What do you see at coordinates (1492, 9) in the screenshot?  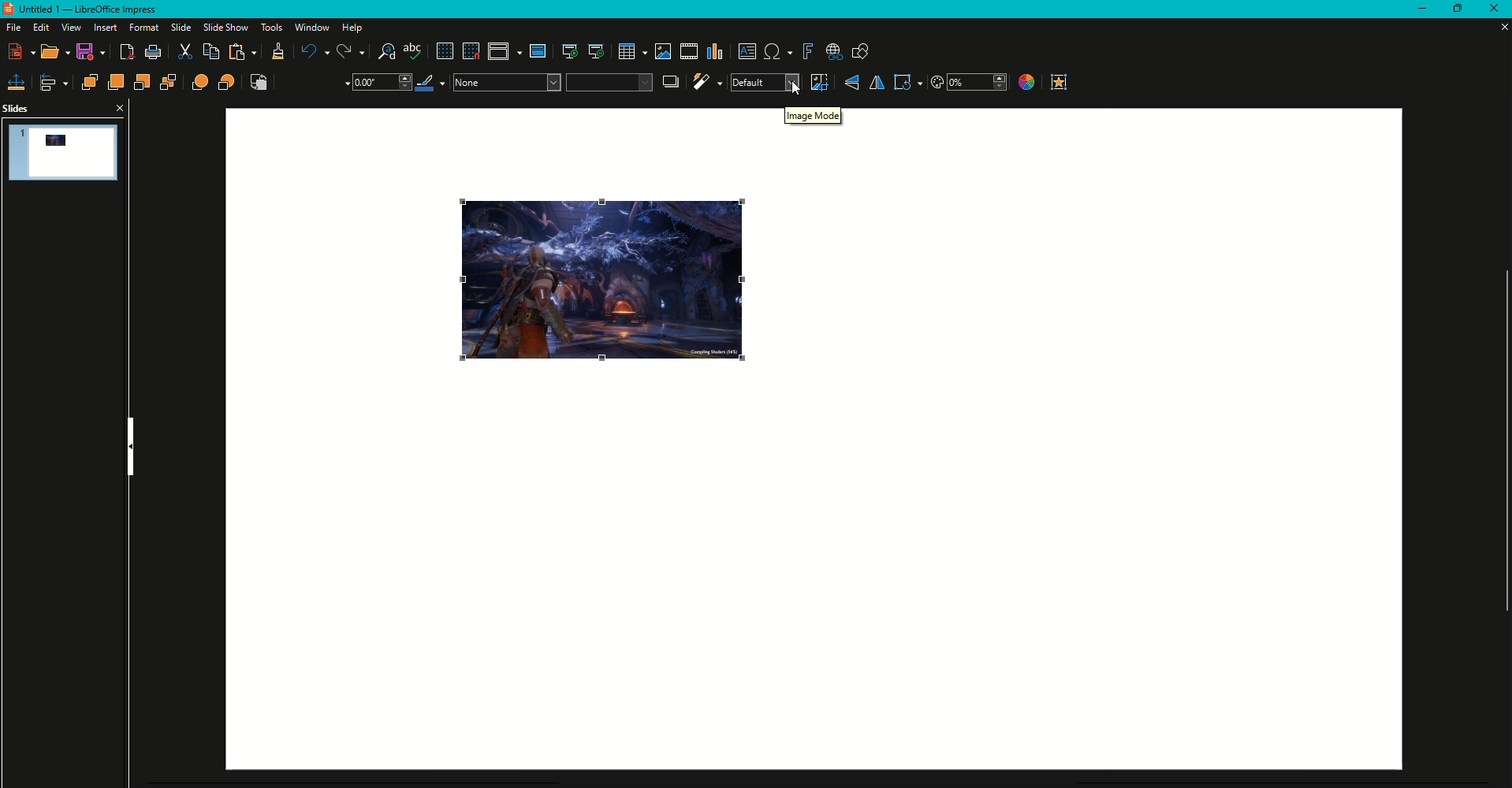 I see `Close` at bounding box center [1492, 9].